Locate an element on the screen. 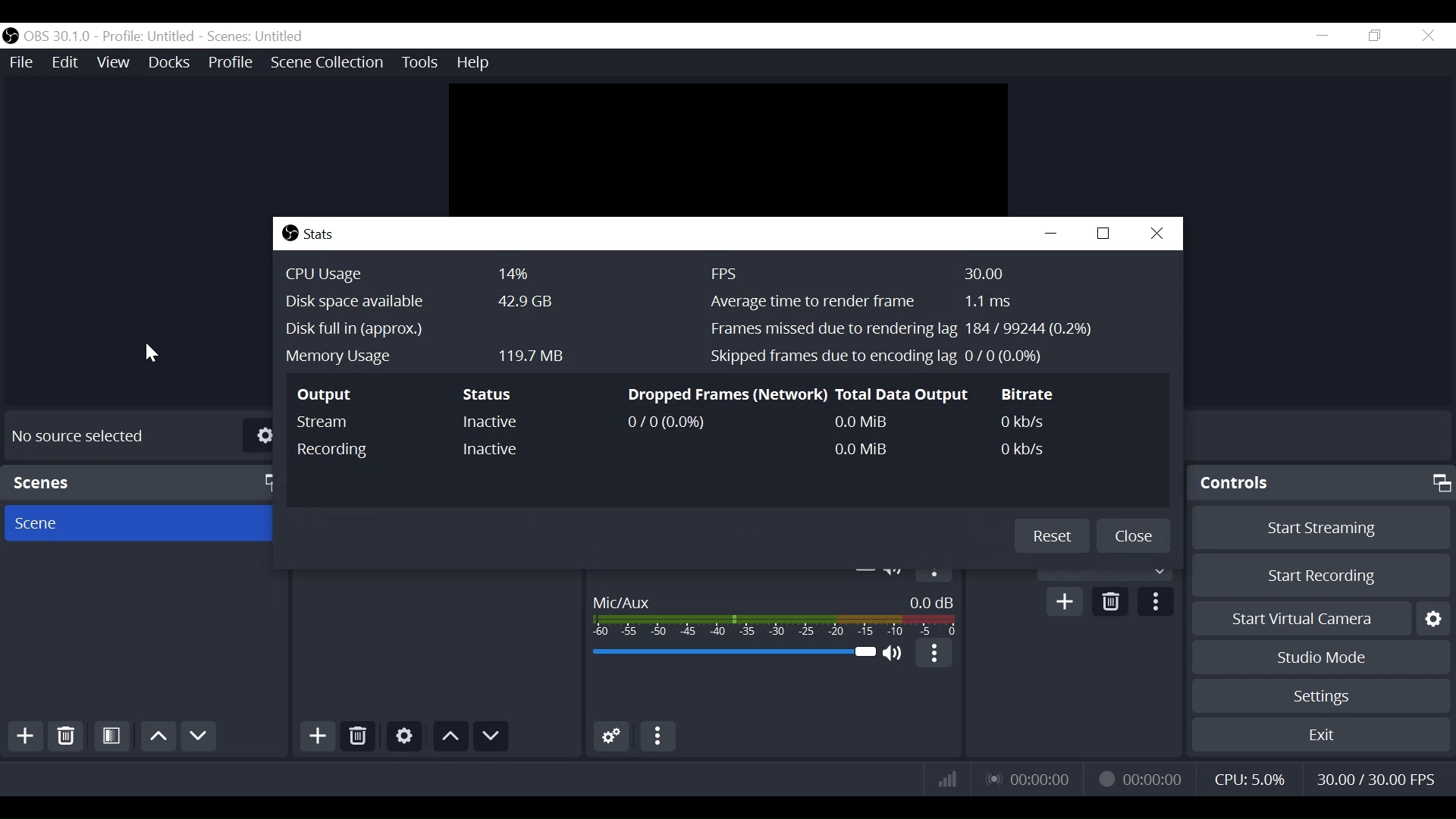 The height and width of the screenshot is (819, 1456). Disk Full in is located at coordinates (482, 330).